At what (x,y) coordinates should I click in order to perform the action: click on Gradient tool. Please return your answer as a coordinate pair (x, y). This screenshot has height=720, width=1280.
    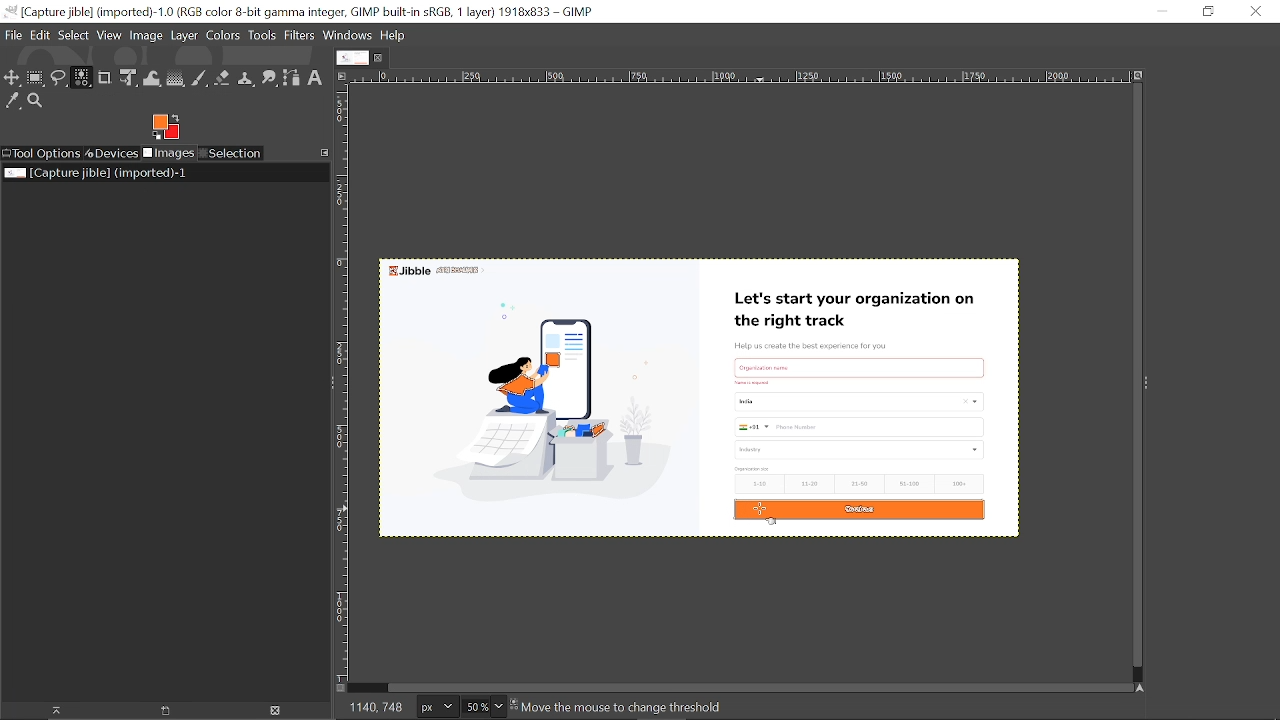
    Looking at the image, I should click on (176, 79).